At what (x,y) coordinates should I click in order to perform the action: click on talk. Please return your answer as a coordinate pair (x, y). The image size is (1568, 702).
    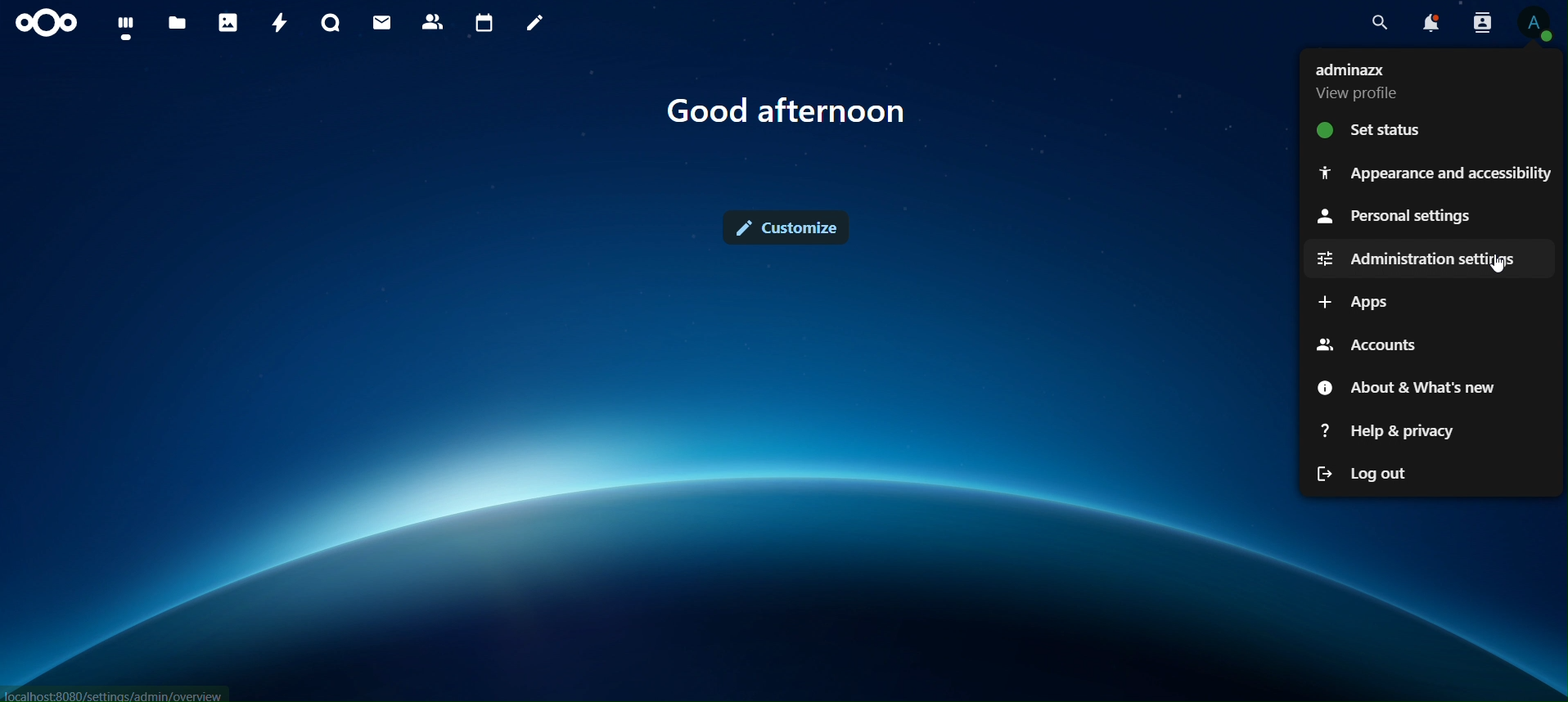
    Looking at the image, I should click on (329, 23).